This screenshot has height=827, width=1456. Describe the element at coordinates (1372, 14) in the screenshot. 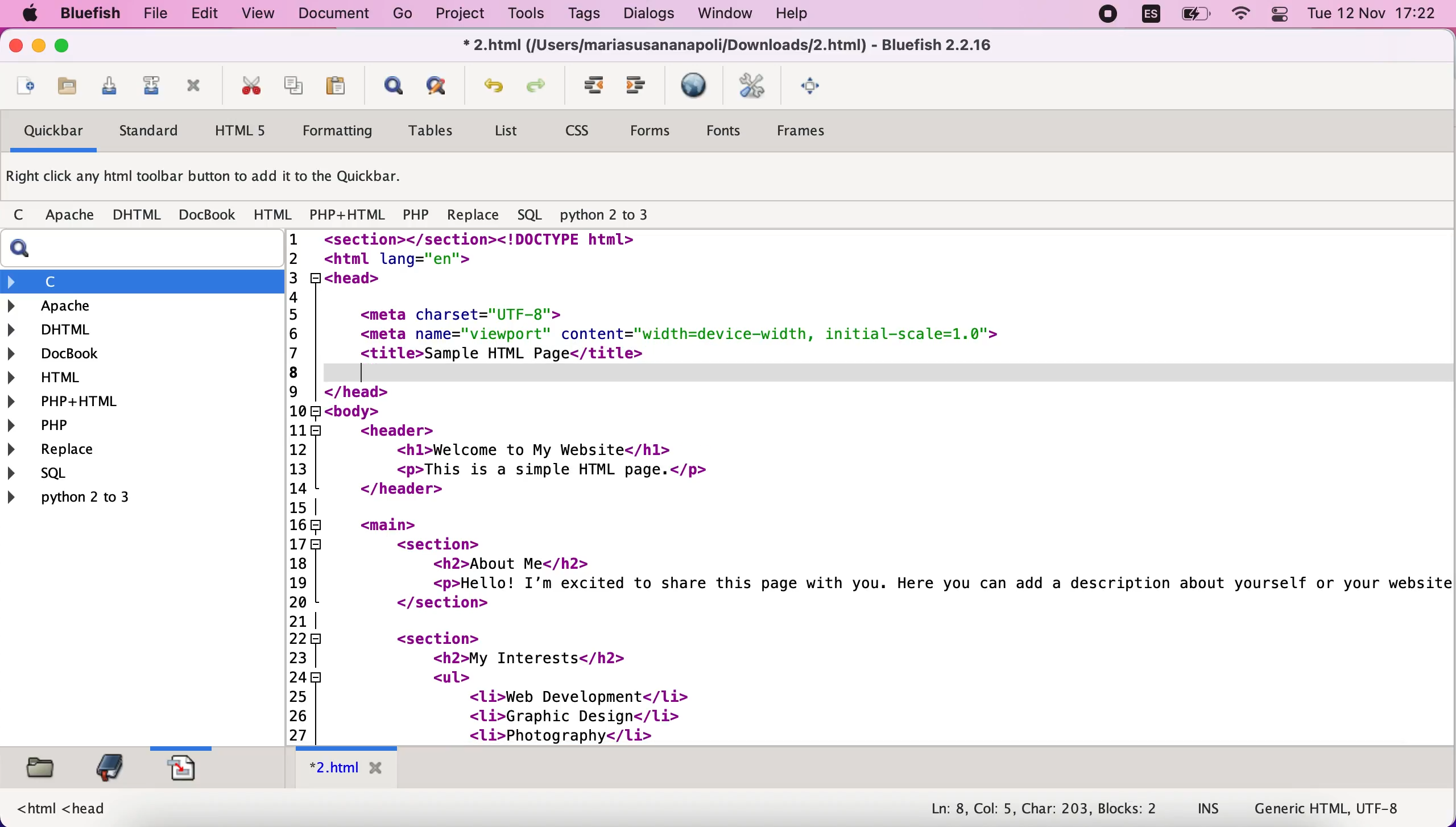

I see `Tue 12 Nov 17:22` at that location.